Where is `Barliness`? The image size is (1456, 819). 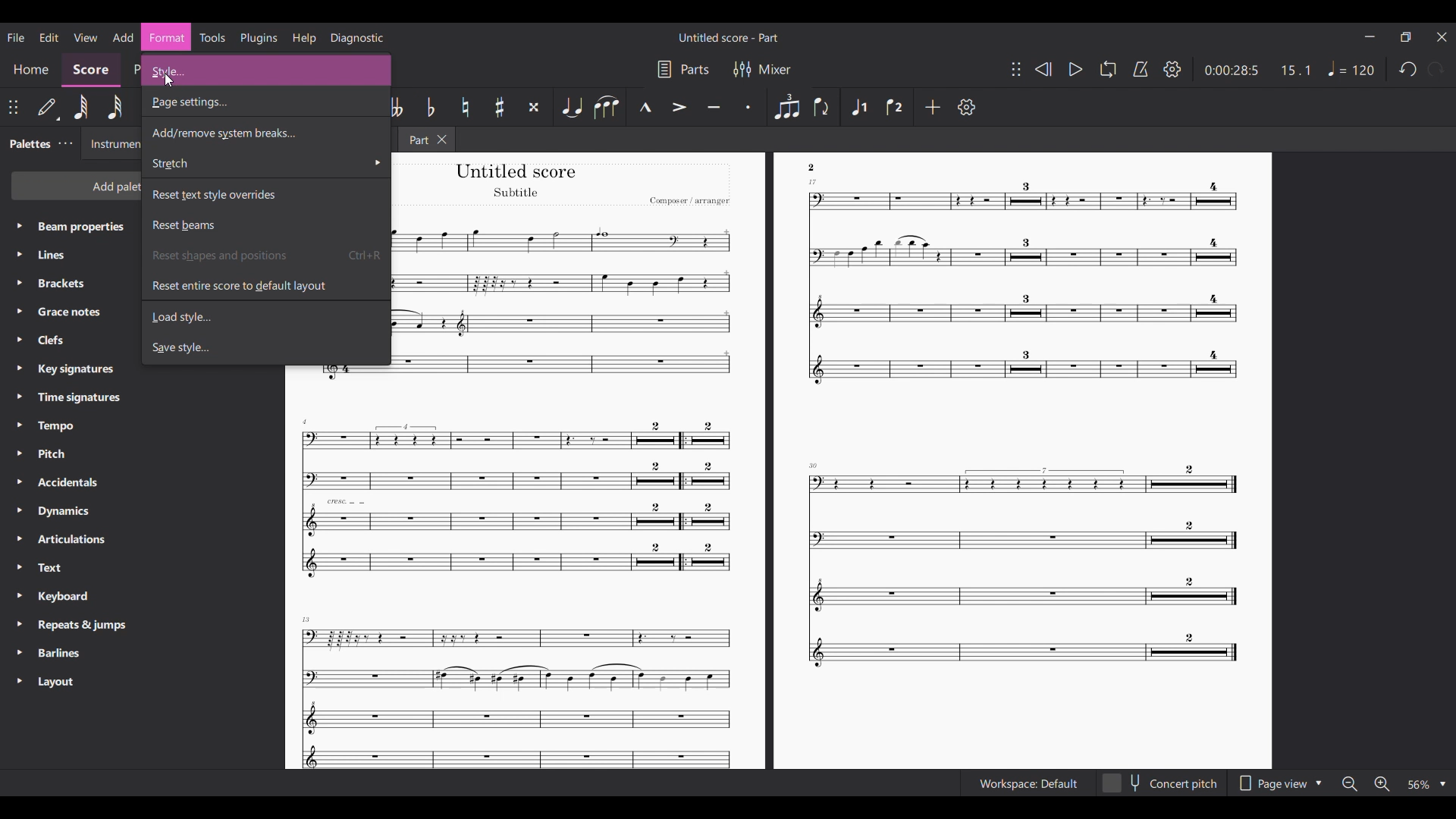
Barliness is located at coordinates (61, 651).